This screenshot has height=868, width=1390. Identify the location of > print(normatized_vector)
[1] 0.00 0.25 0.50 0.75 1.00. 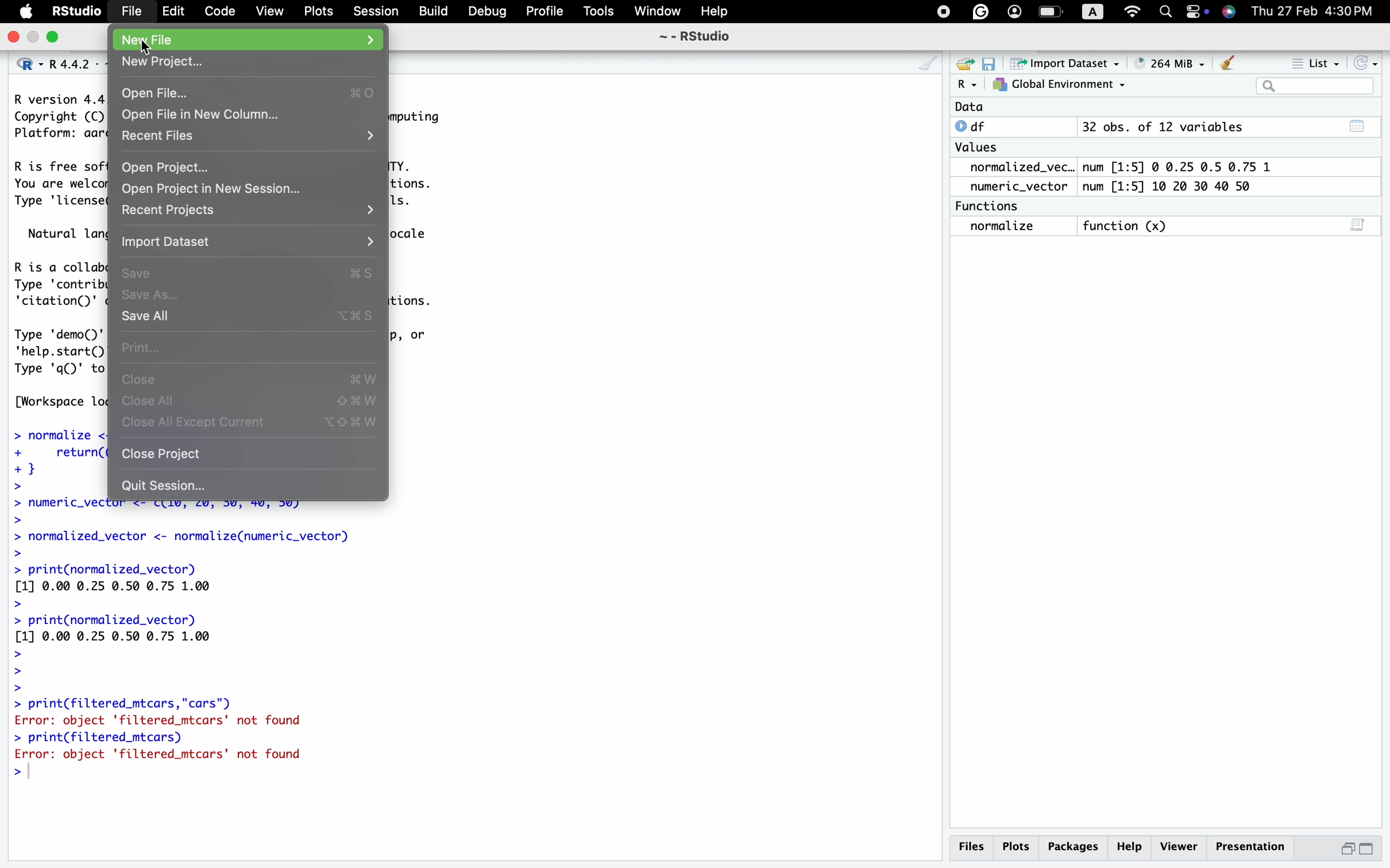
(128, 586).